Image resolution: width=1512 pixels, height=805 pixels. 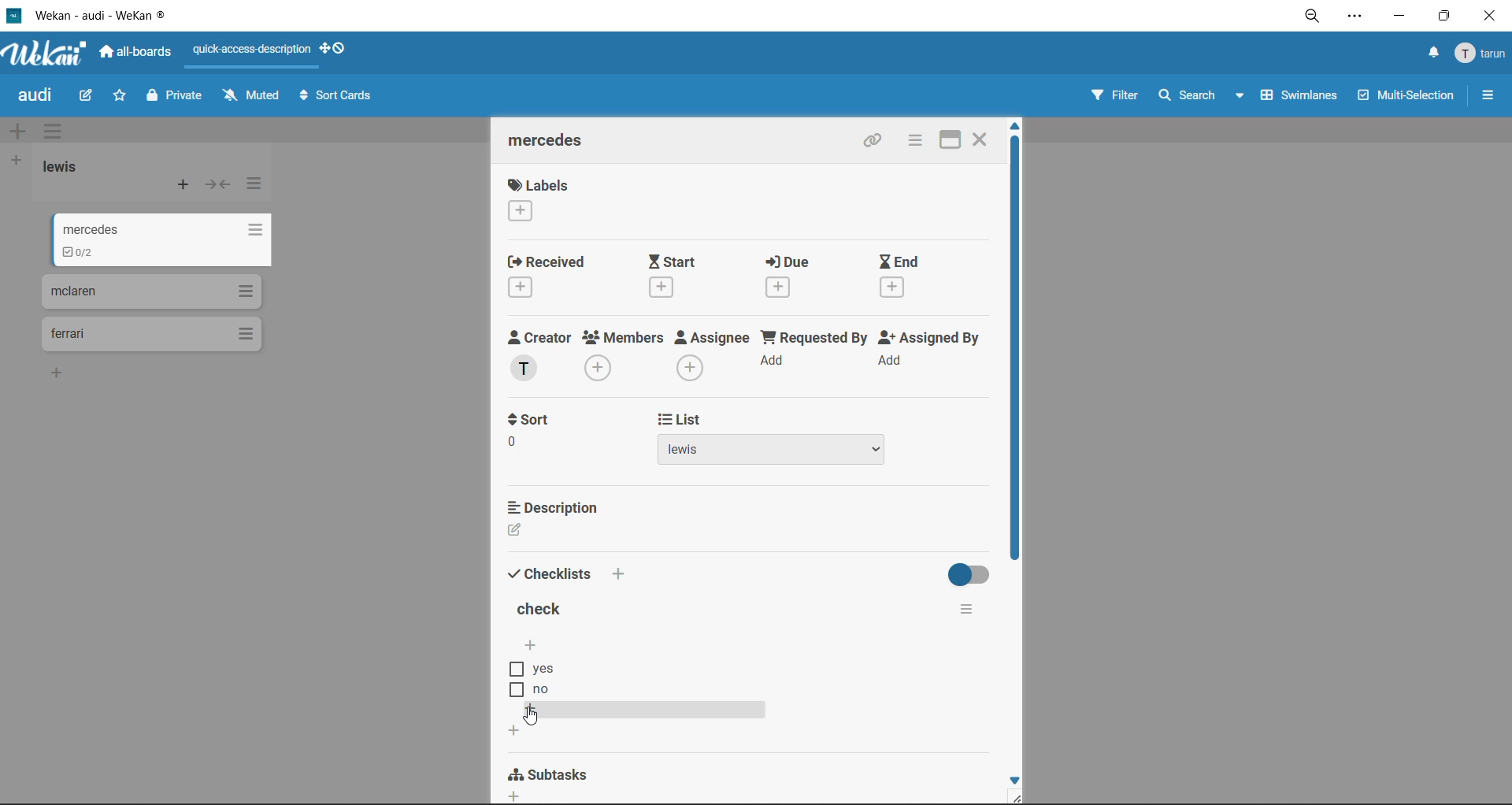 What do you see at coordinates (973, 573) in the screenshot?
I see `hide completed checklists` at bounding box center [973, 573].